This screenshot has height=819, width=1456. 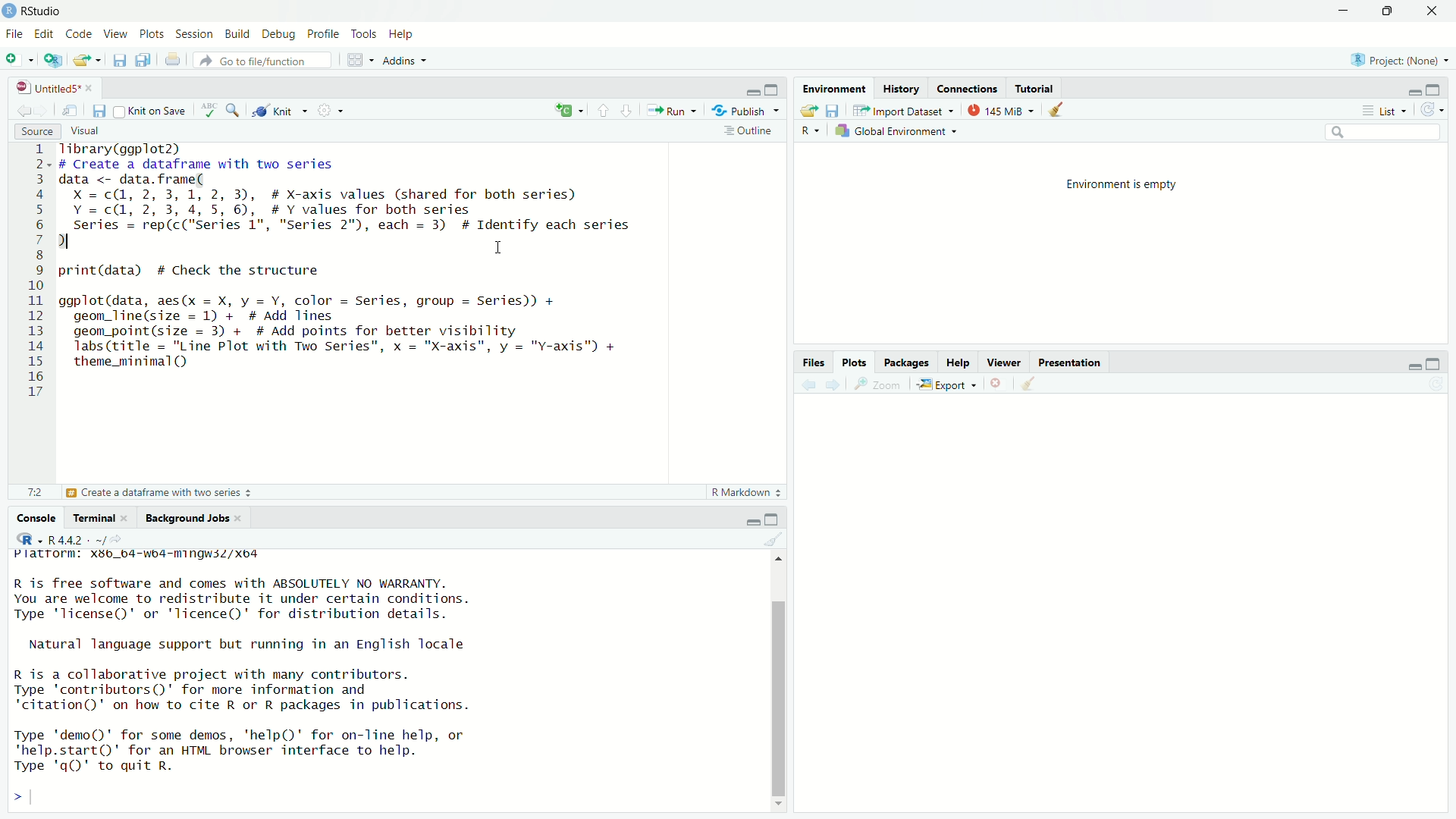 I want to click on Find/Replace, so click(x=233, y=111).